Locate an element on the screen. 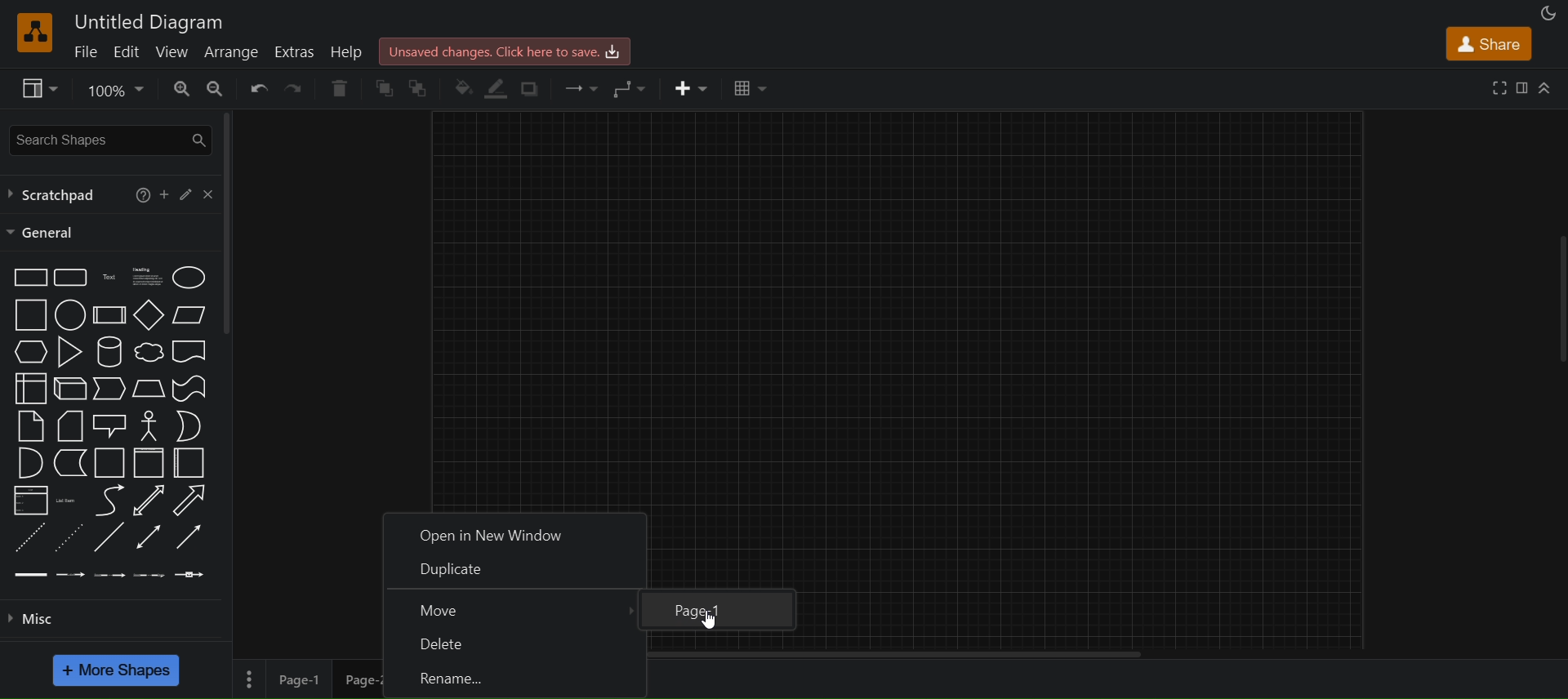 The width and height of the screenshot is (1568, 699). connector with 2 labels is located at coordinates (111, 572).